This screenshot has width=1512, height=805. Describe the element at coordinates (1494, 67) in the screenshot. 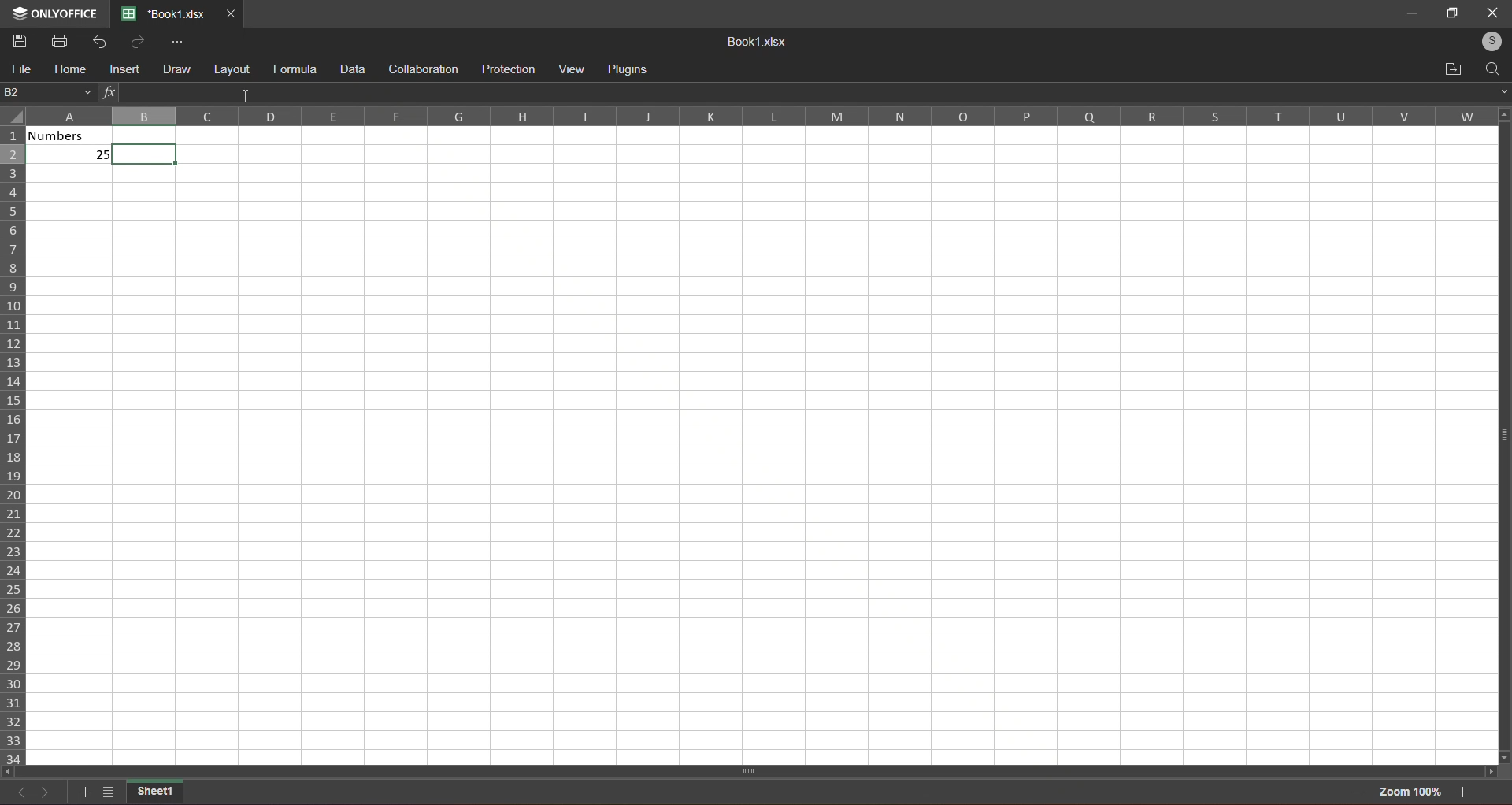

I see `search` at that location.